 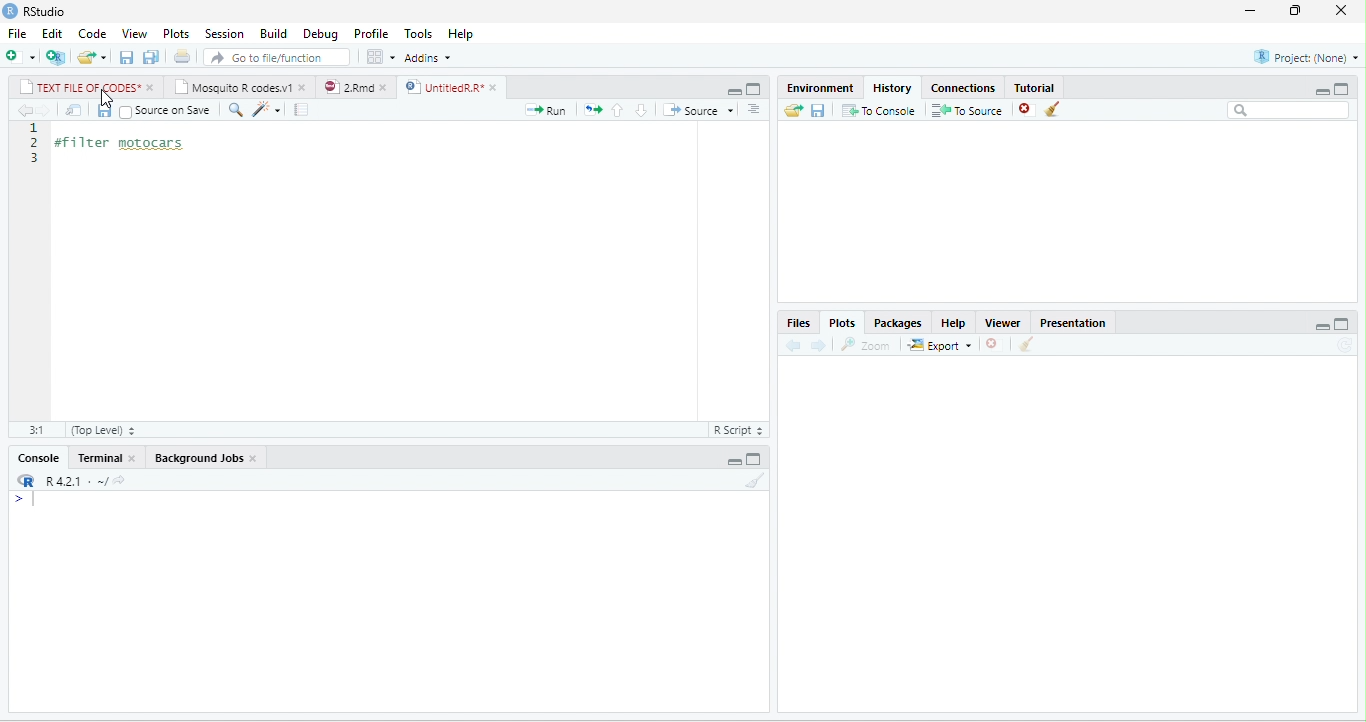 What do you see at coordinates (153, 87) in the screenshot?
I see `close` at bounding box center [153, 87].